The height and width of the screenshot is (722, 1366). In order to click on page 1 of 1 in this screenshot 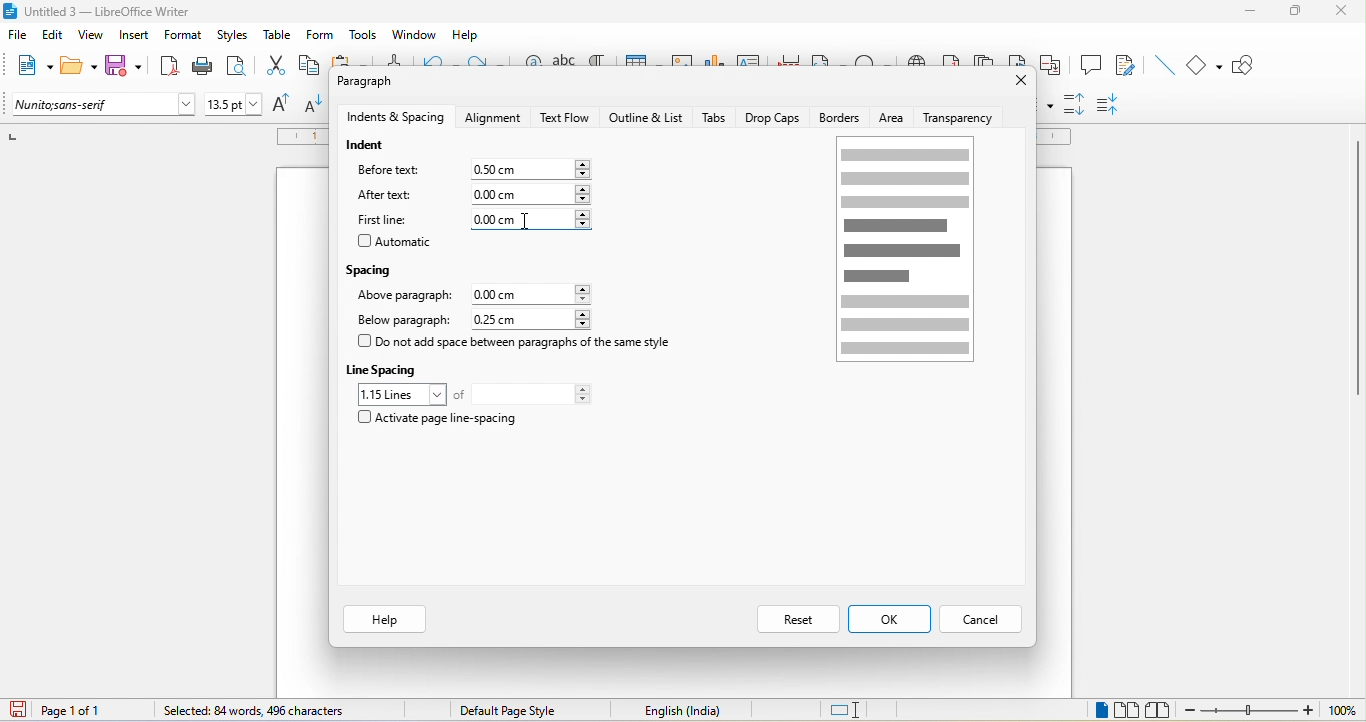, I will do `click(87, 710)`.